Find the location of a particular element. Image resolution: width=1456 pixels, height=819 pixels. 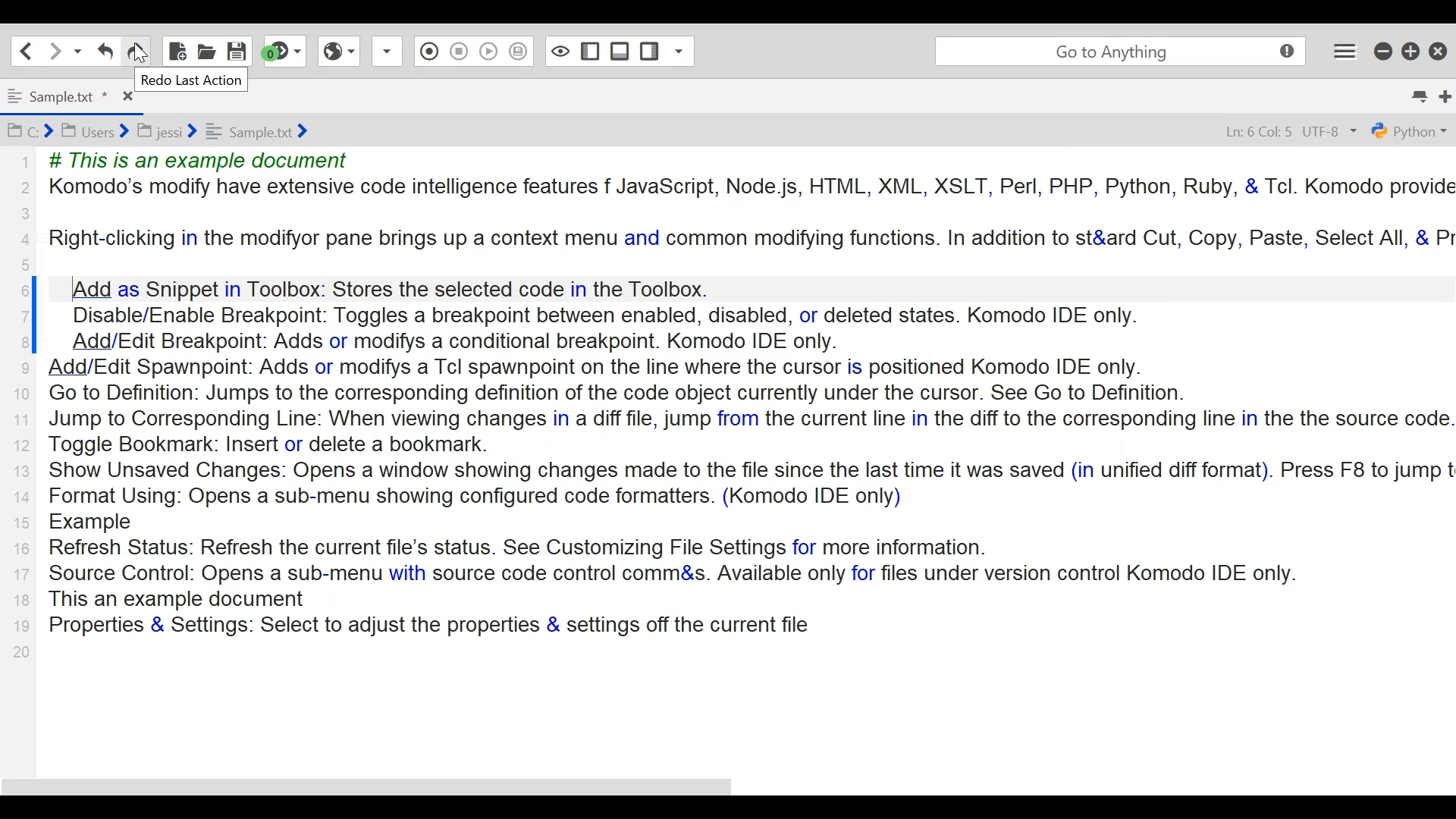

Go forward one location is located at coordinates (52, 50).